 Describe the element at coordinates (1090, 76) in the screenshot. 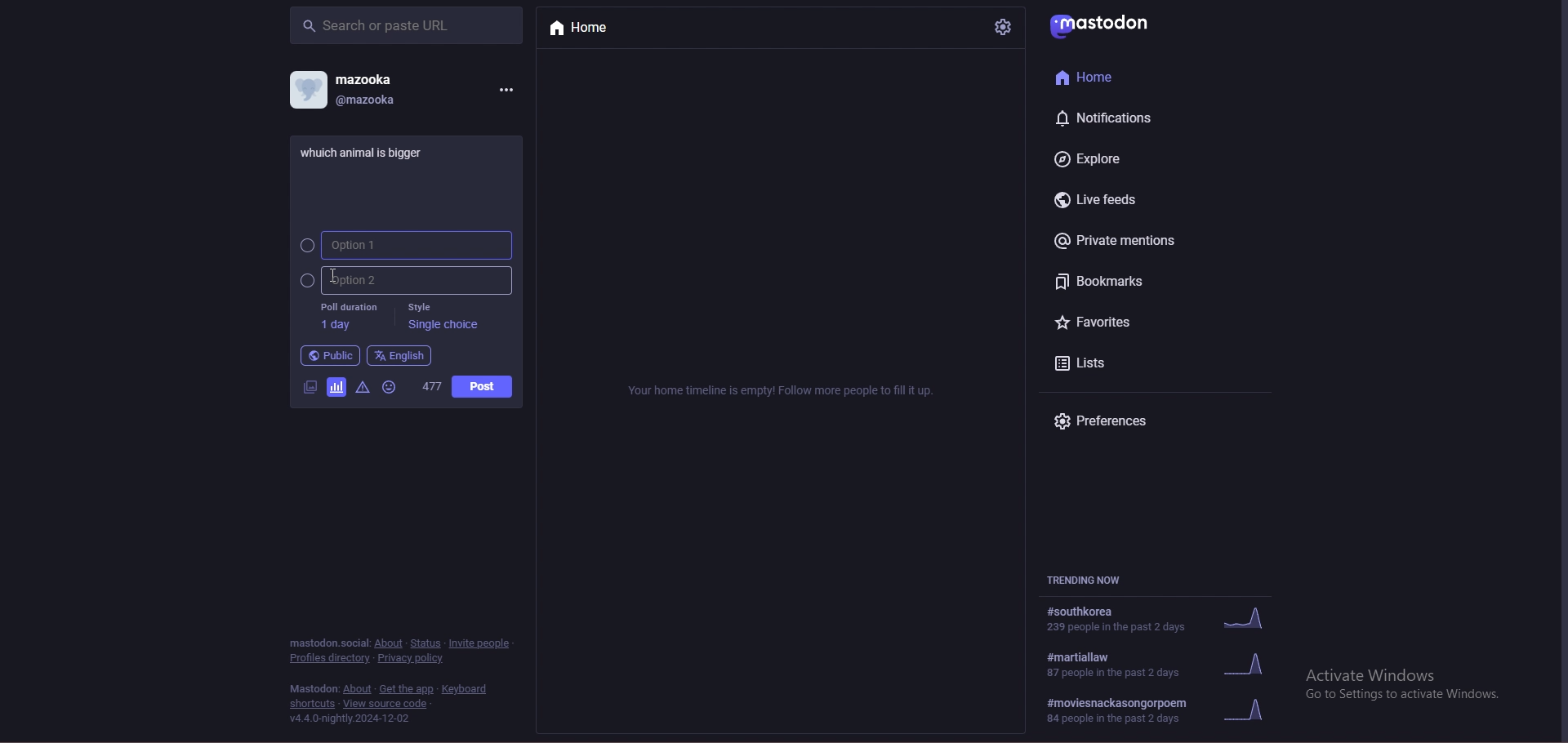

I see `Home` at that location.